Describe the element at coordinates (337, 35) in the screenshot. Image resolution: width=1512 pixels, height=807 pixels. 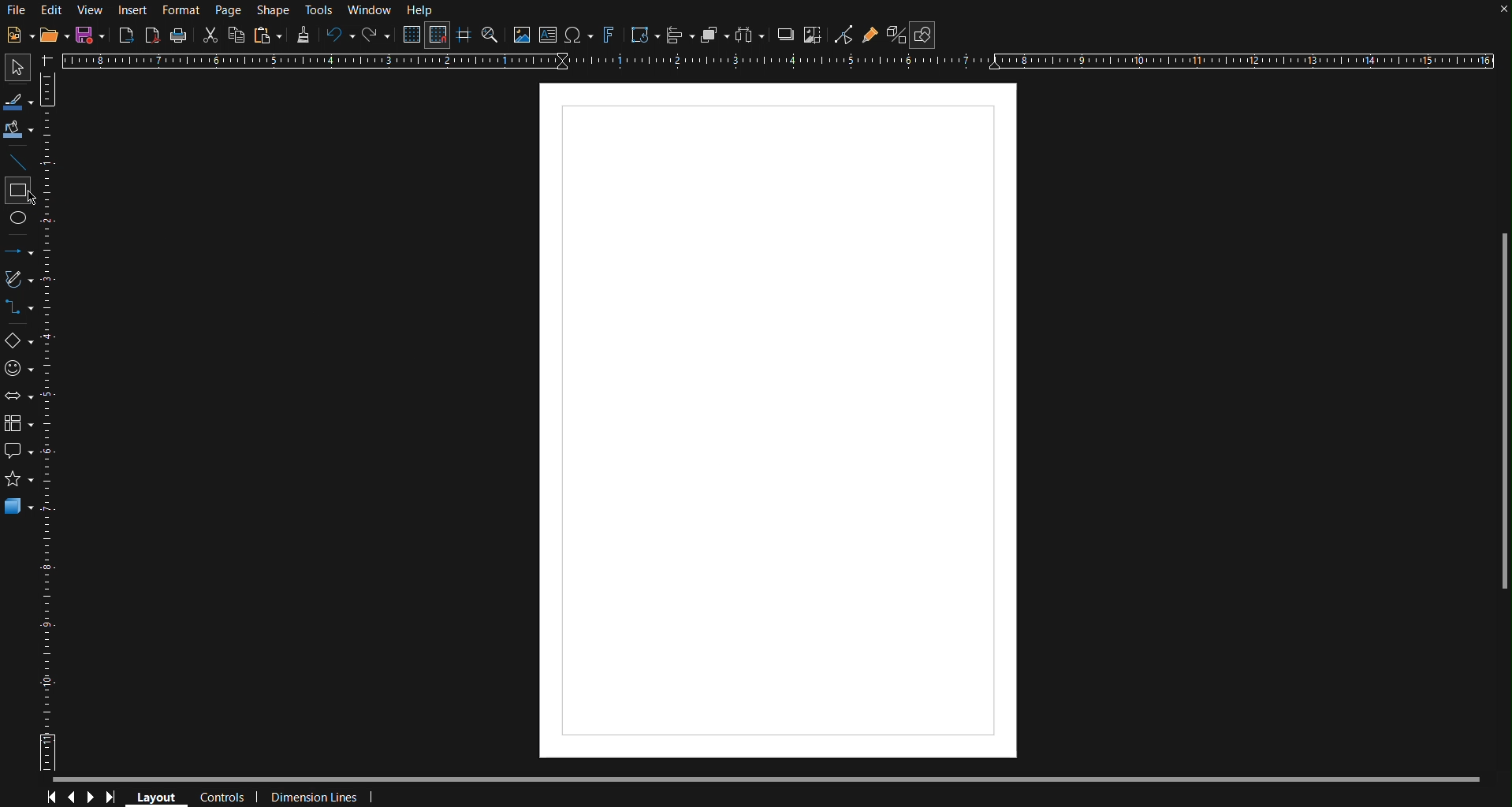
I see `Undo` at that location.